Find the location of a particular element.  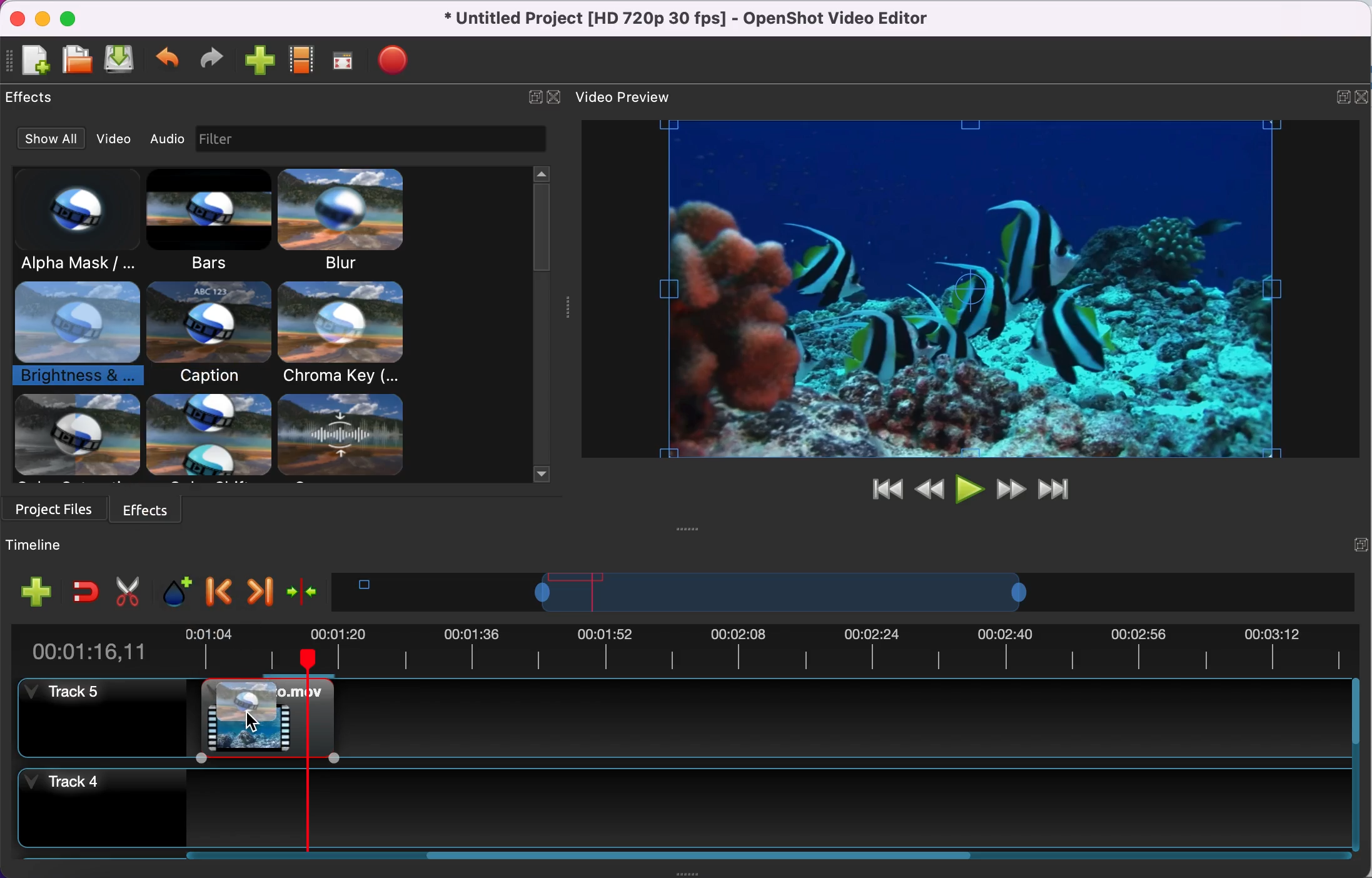

new file is located at coordinates (29, 59).